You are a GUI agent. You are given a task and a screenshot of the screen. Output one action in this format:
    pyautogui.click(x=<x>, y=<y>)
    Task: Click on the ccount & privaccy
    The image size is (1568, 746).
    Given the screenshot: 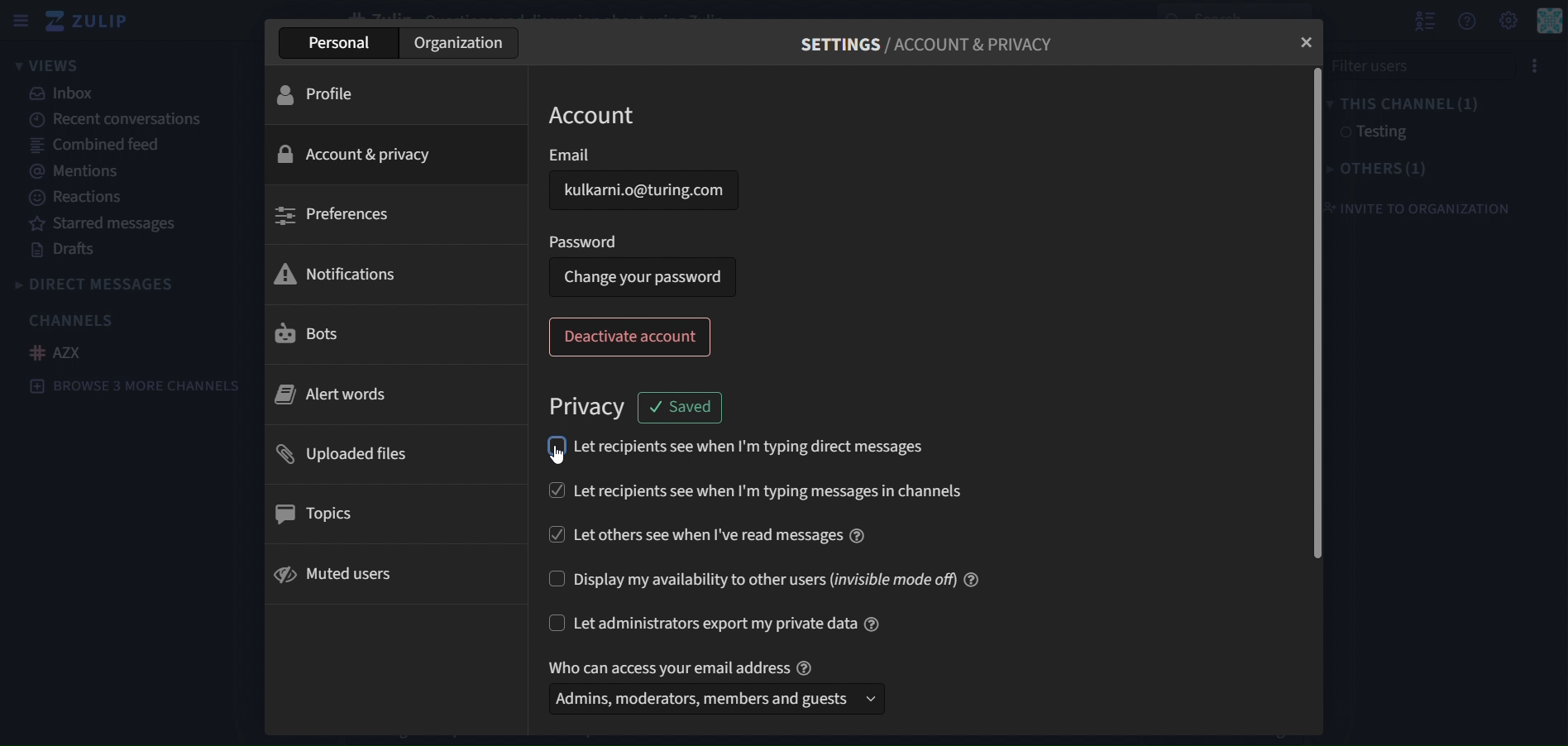 What is the action you would take?
    pyautogui.click(x=358, y=155)
    